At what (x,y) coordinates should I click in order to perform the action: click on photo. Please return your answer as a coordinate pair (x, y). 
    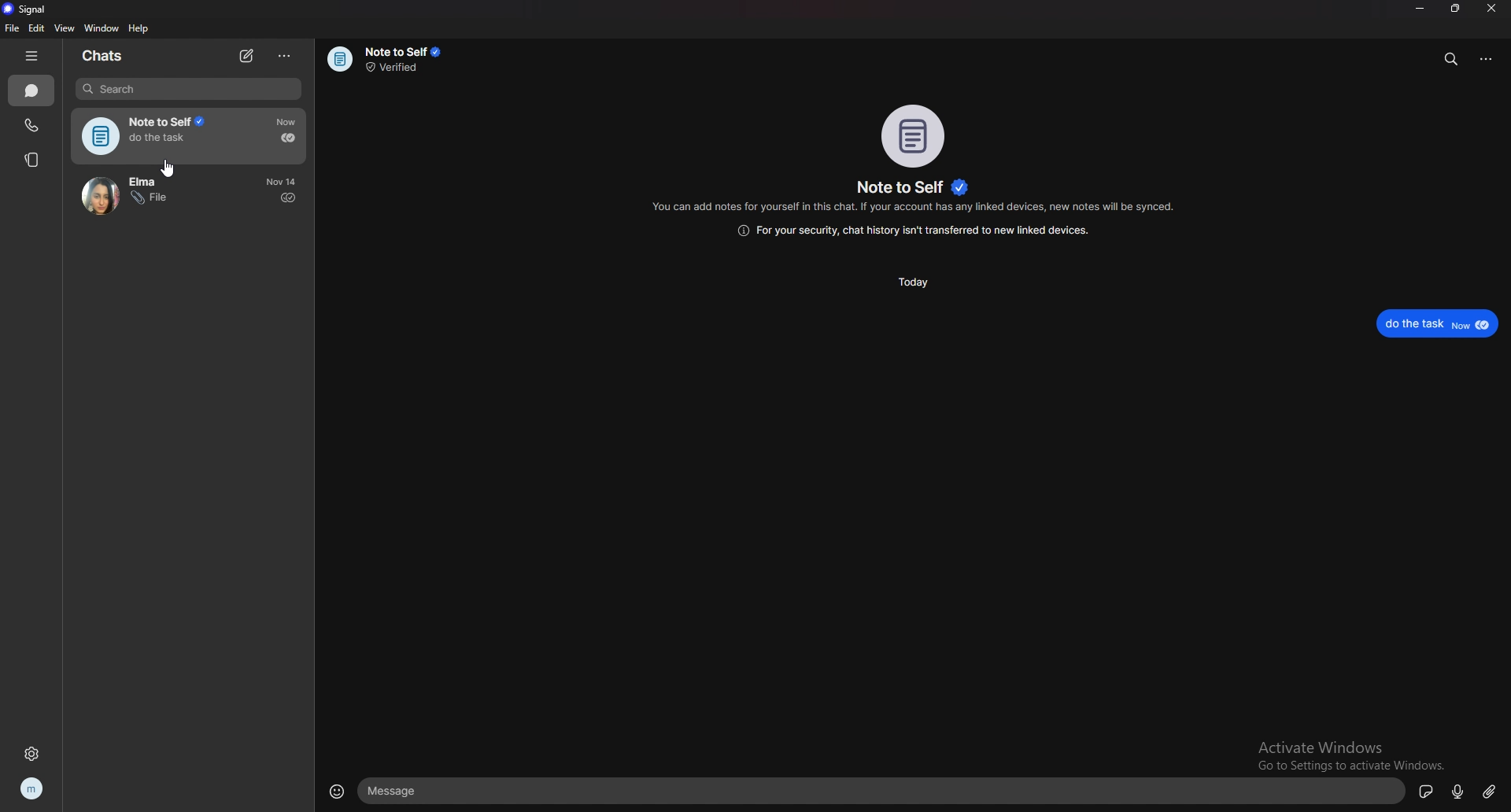
    Looking at the image, I should click on (913, 136).